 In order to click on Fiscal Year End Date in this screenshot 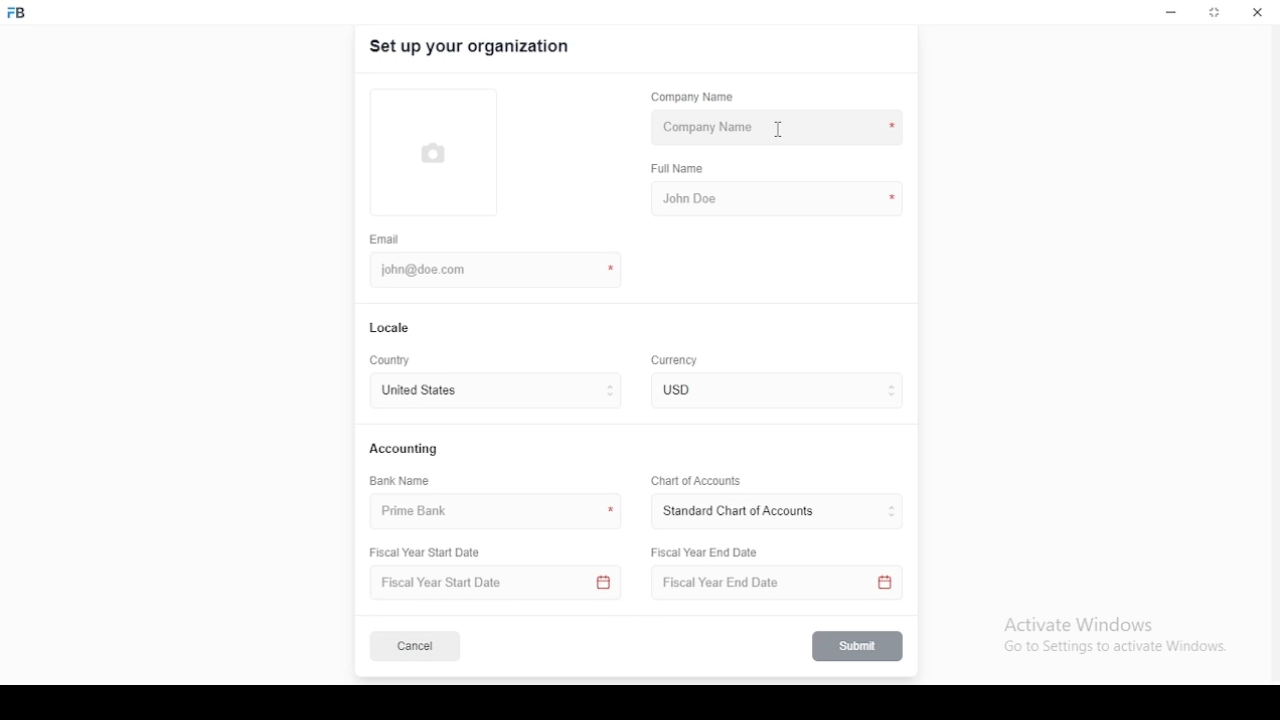, I will do `click(706, 552)`.